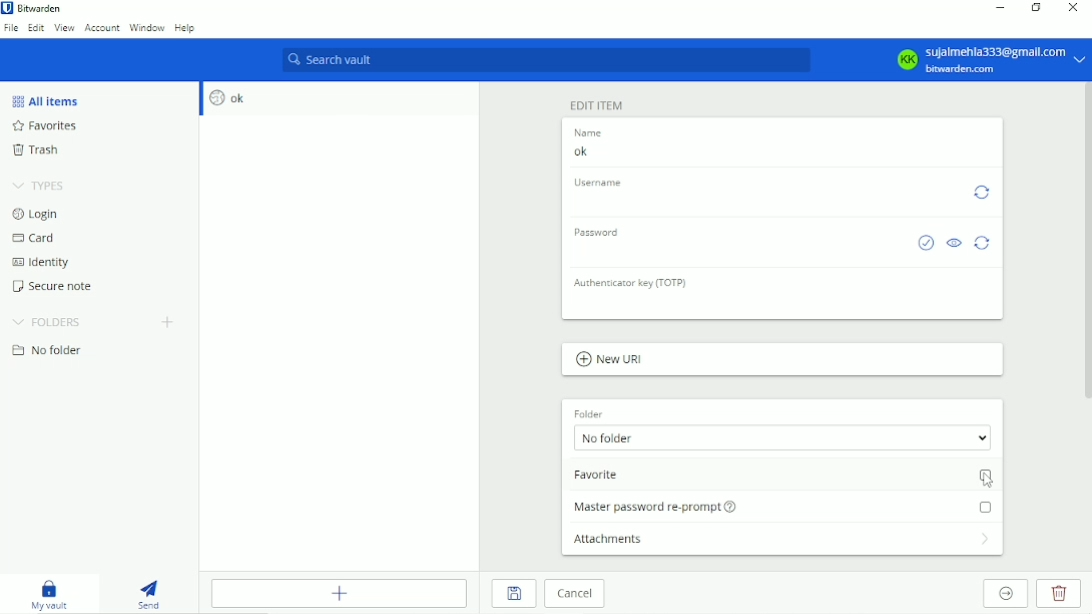 The height and width of the screenshot is (614, 1092). Describe the element at coordinates (984, 243) in the screenshot. I see `Generate password` at that location.